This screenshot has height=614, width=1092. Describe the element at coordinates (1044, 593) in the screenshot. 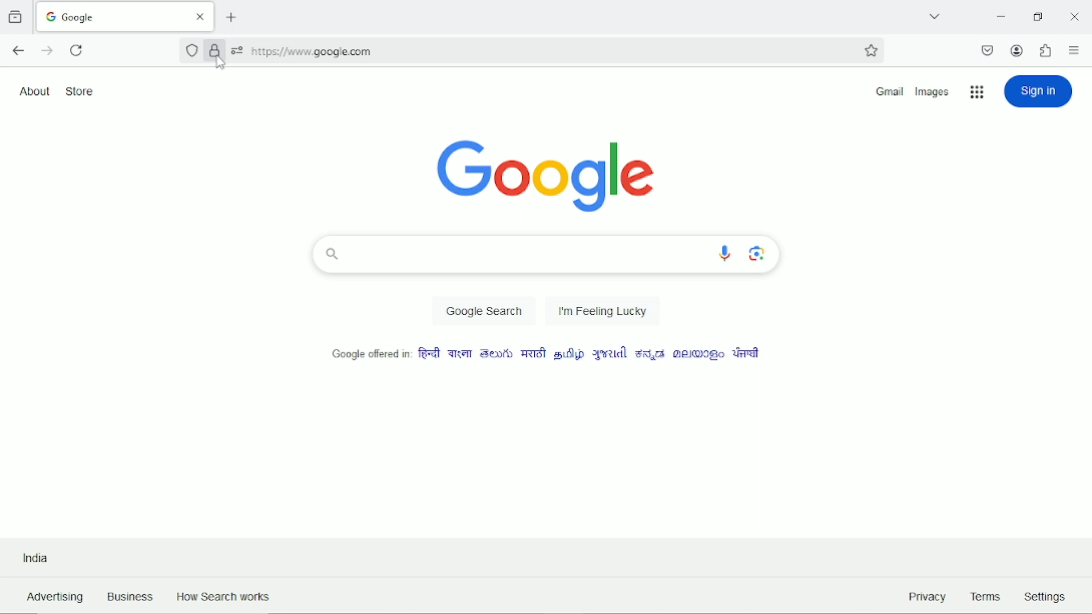

I see `Settings` at that location.